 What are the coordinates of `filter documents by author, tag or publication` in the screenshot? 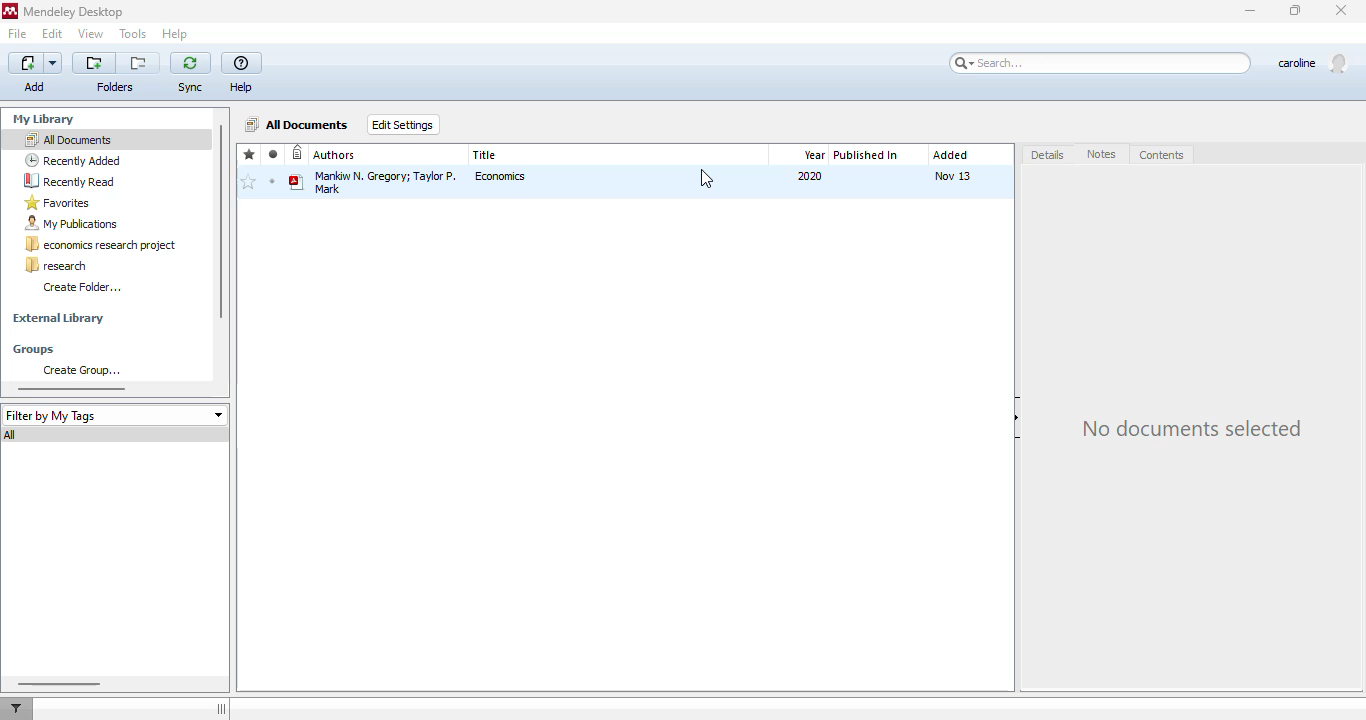 It's located at (15, 709).